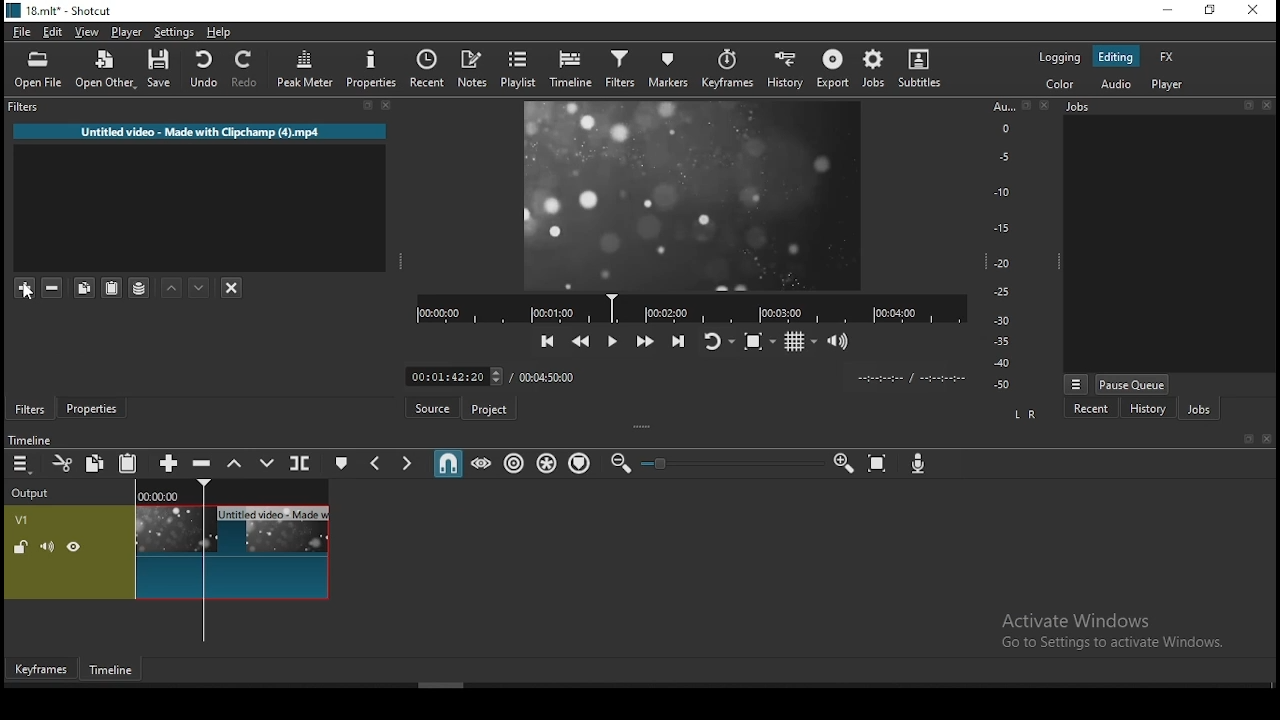 The width and height of the screenshot is (1280, 720). What do you see at coordinates (620, 463) in the screenshot?
I see `zoom timeline out` at bounding box center [620, 463].